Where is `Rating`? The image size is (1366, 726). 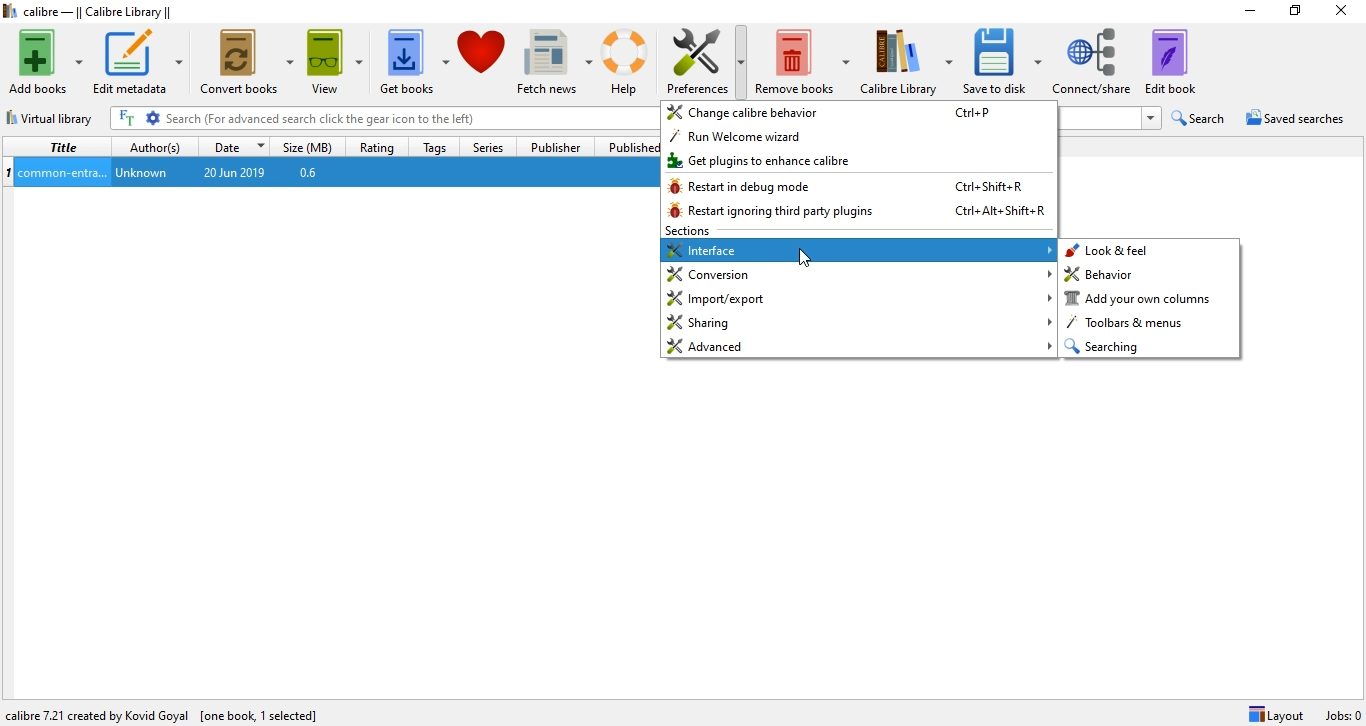 Rating is located at coordinates (379, 144).